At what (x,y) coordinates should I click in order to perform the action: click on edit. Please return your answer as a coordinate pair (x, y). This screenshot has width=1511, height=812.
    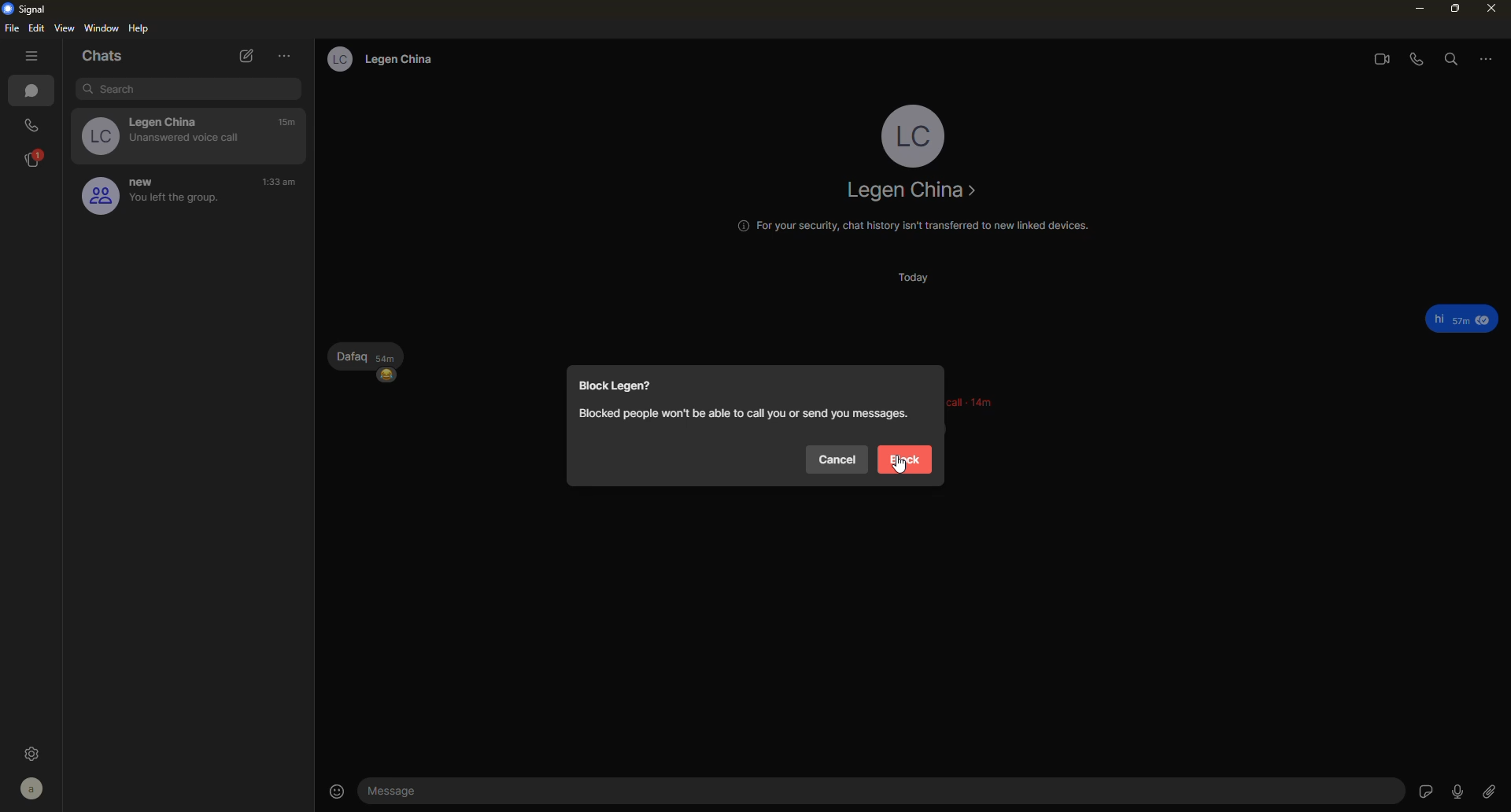
    Looking at the image, I should click on (38, 28).